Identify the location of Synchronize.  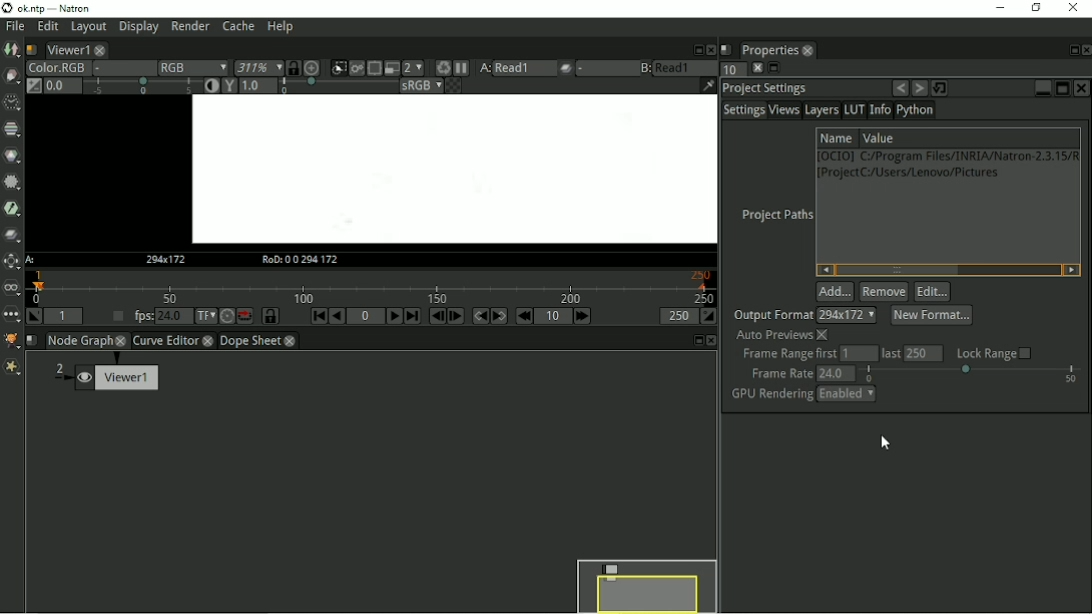
(270, 316).